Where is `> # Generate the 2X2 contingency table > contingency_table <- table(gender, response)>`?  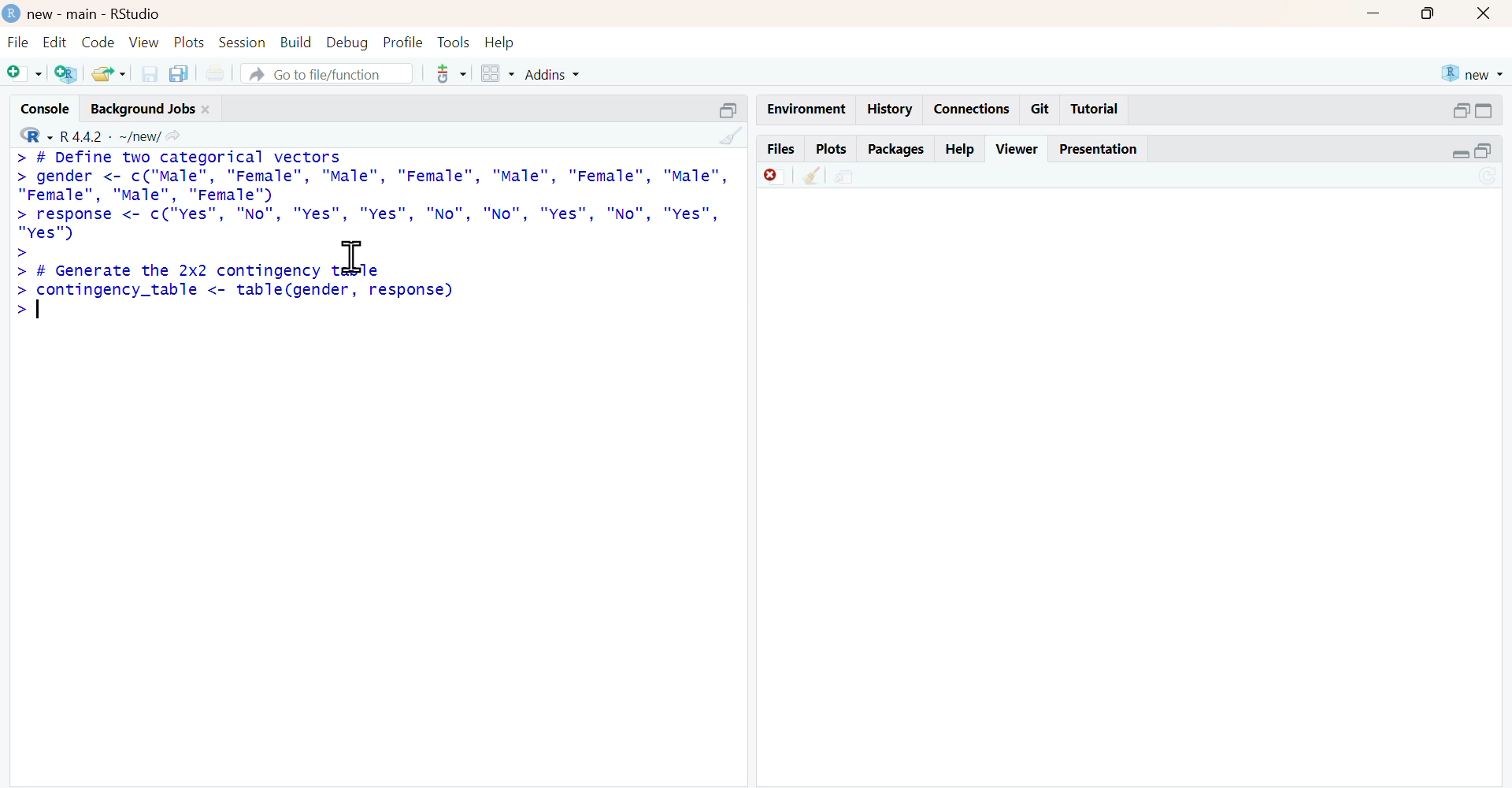 > # Generate the 2X2 contingency table > contingency_table <- table(gender, response)> is located at coordinates (235, 292).